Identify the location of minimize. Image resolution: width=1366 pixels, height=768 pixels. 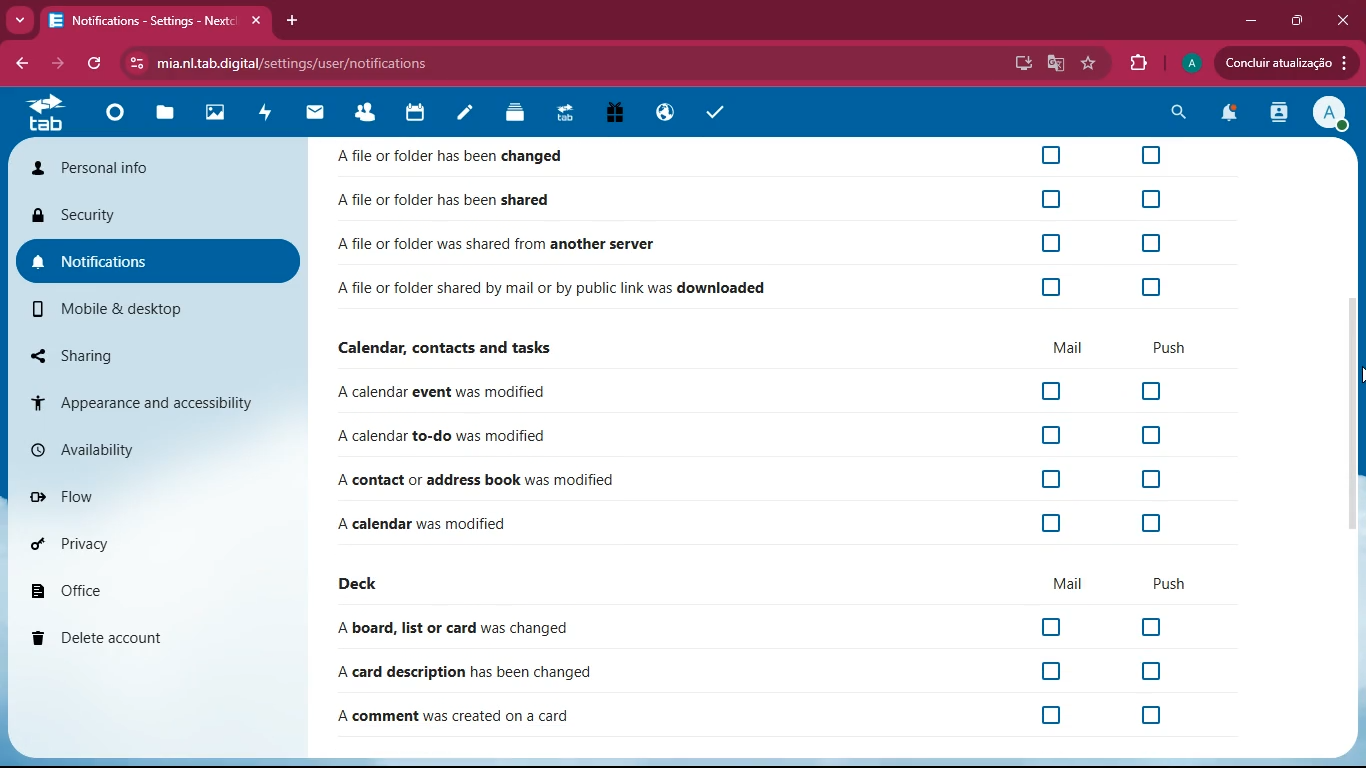
(1246, 21).